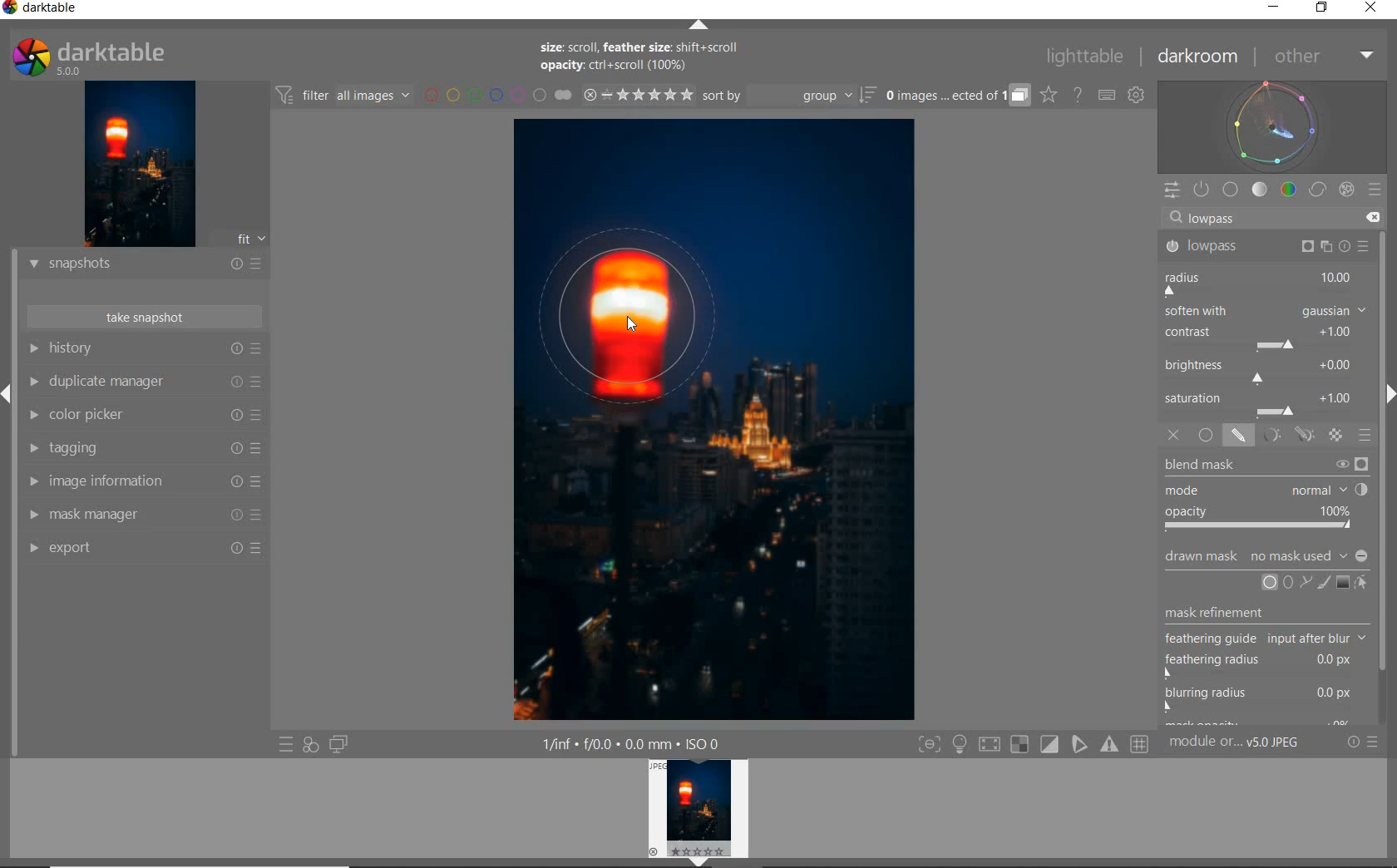 This screenshot has width=1397, height=868. I want to click on EXPAND/COLLAPSE, so click(699, 25).